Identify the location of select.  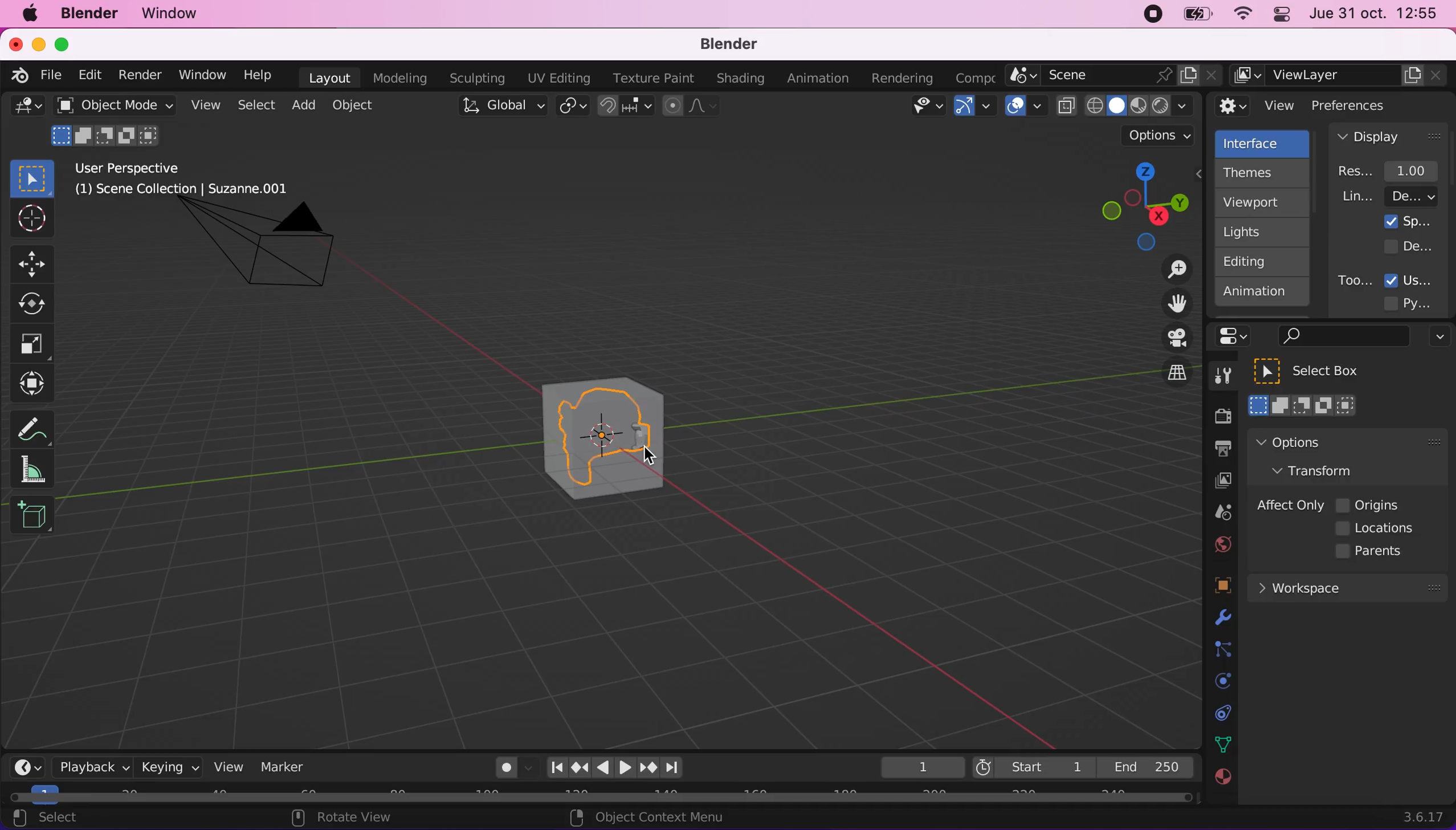
(255, 106).